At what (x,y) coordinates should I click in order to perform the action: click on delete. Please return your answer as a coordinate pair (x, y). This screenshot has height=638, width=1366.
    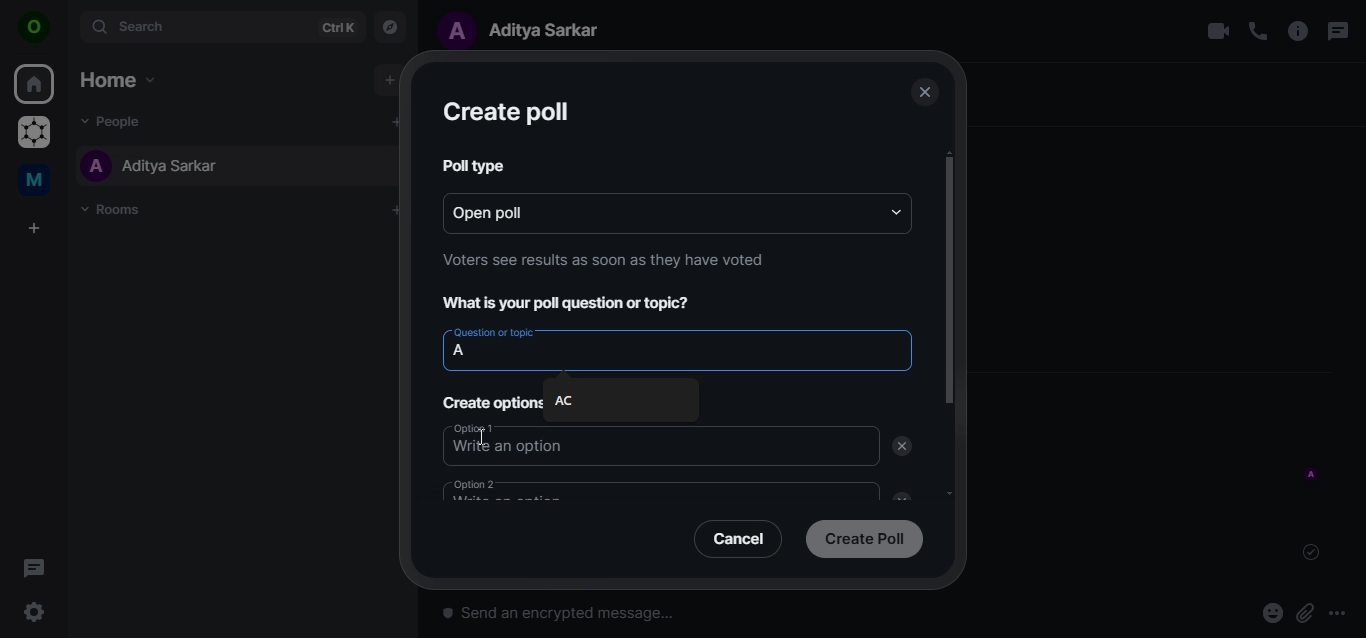
    Looking at the image, I should click on (902, 447).